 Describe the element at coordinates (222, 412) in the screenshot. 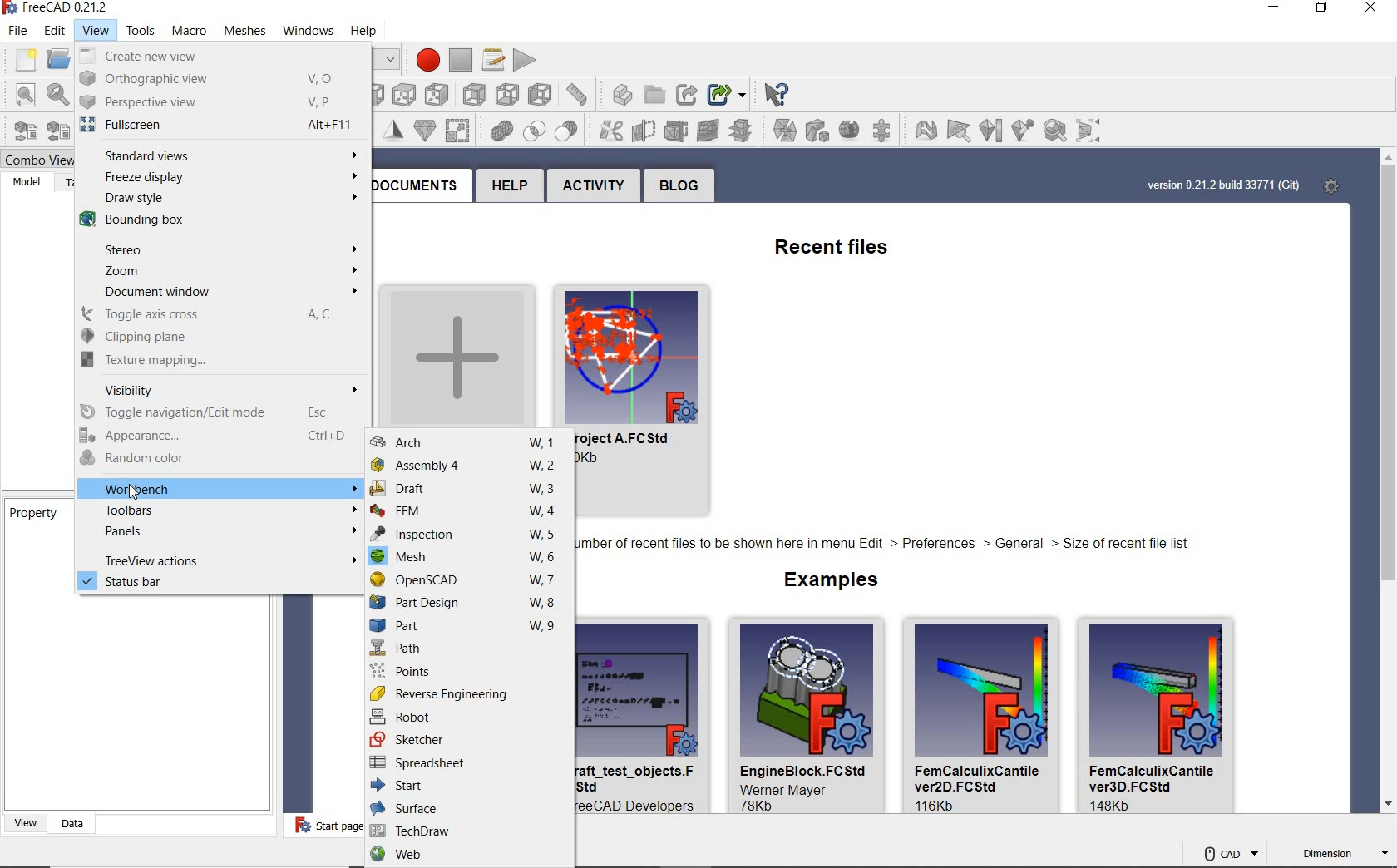

I see `toggle navigation ` at that location.